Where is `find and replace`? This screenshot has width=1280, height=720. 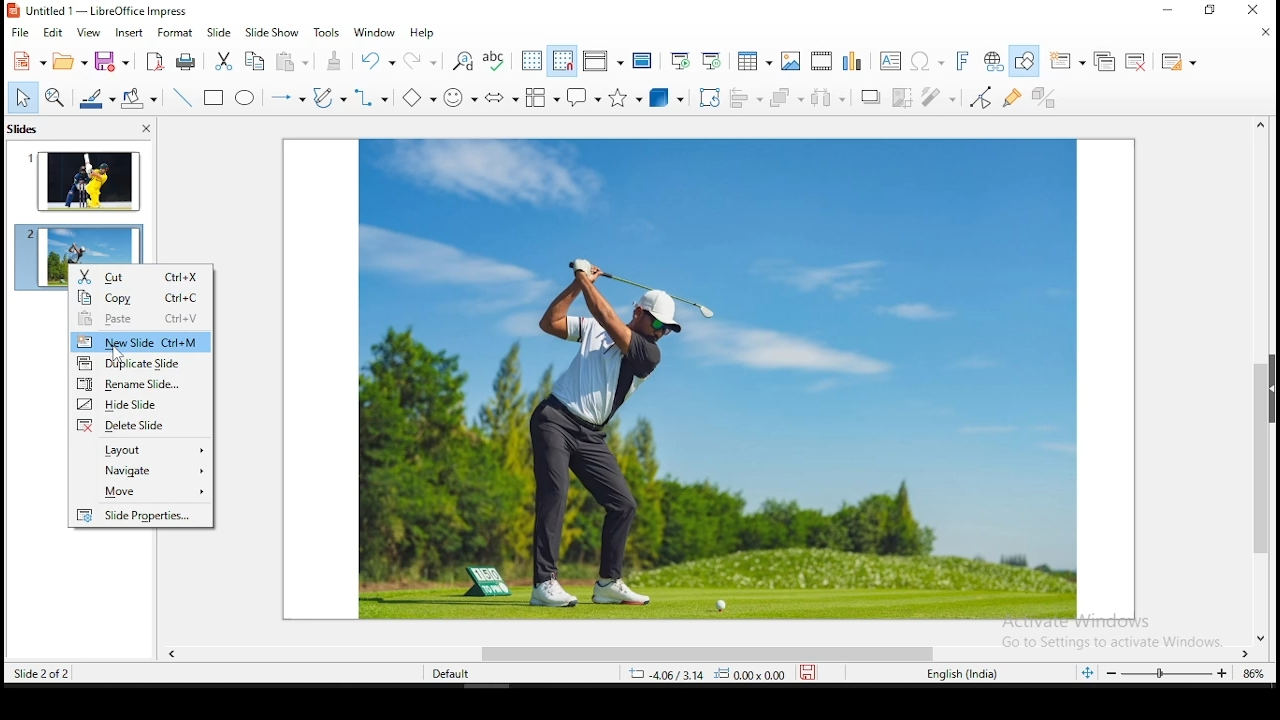 find and replace is located at coordinates (463, 62).